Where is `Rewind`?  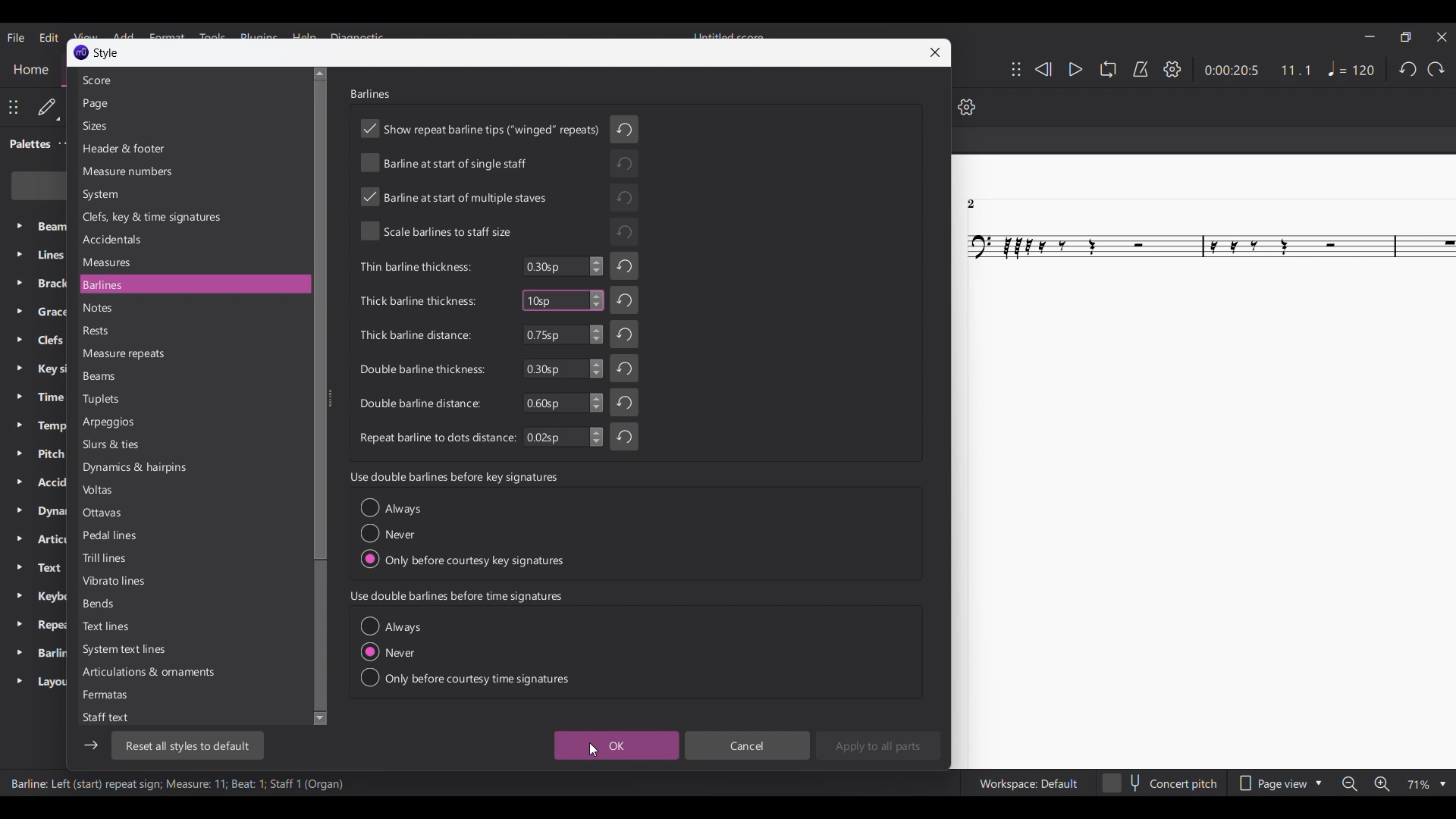 Rewind is located at coordinates (1043, 69).